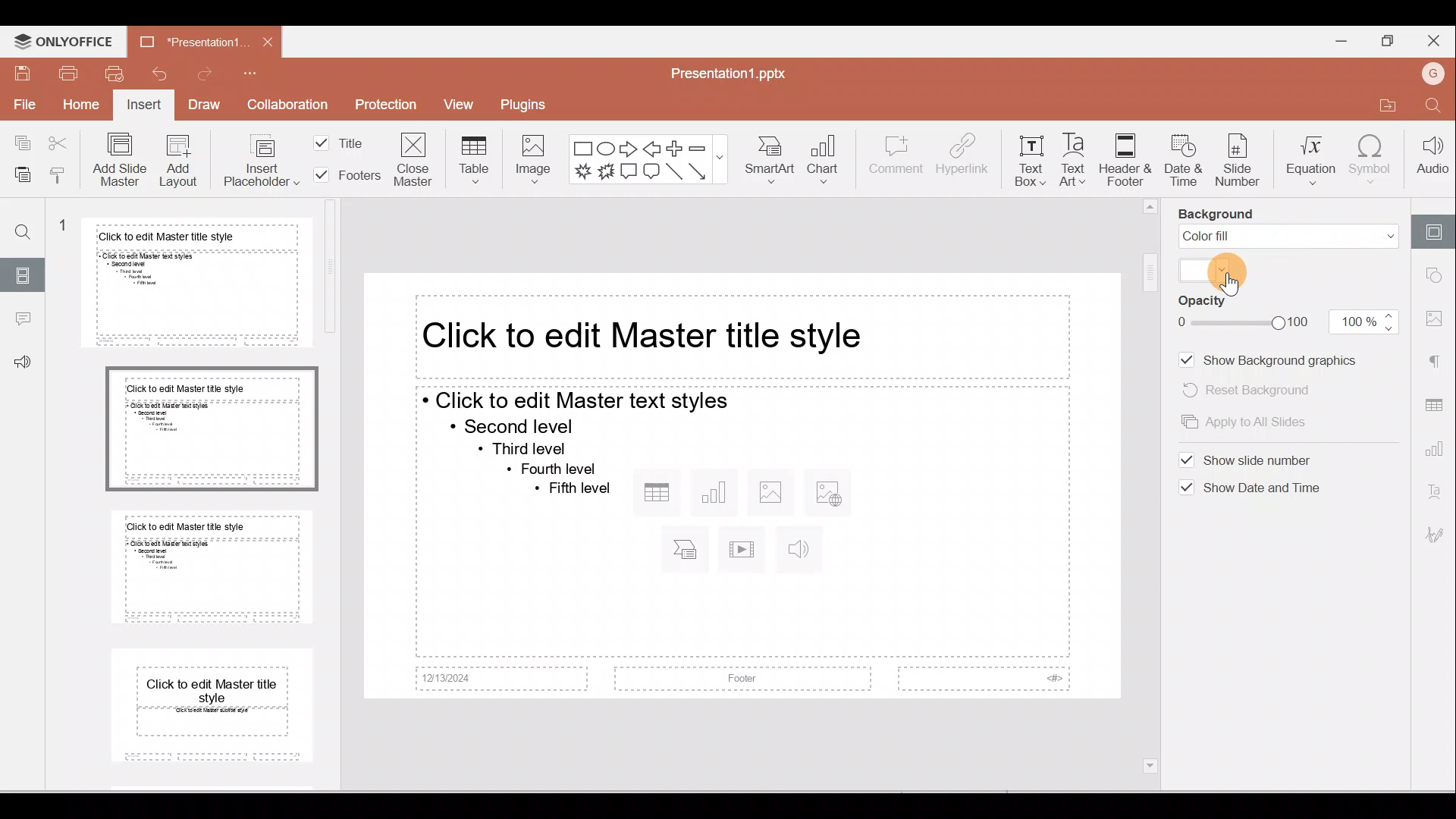  I want to click on Explosion 1, so click(581, 174).